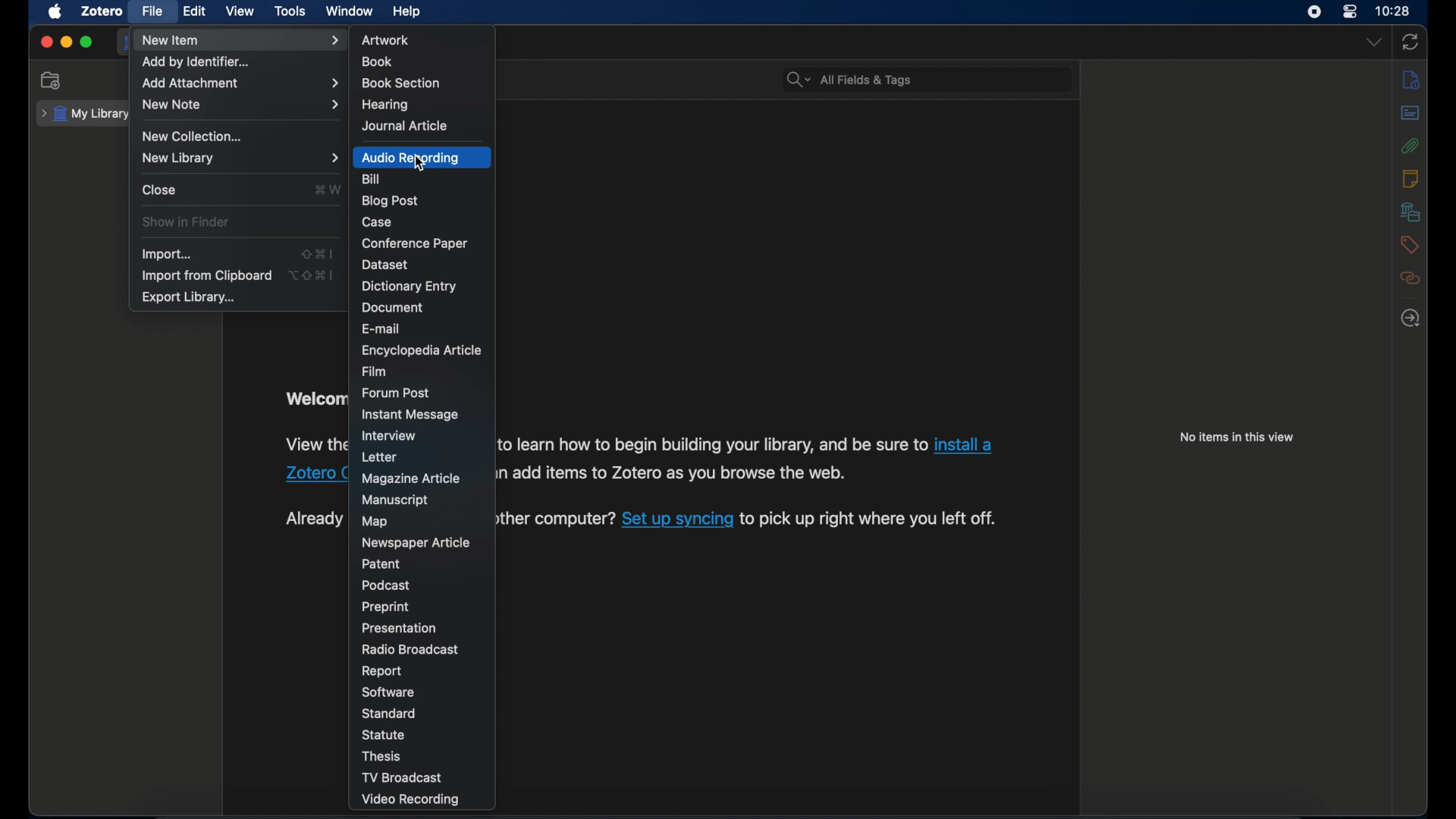 The width and height of the screenshot is (1456, 819). I want to click on hearing, so click(384, 104).